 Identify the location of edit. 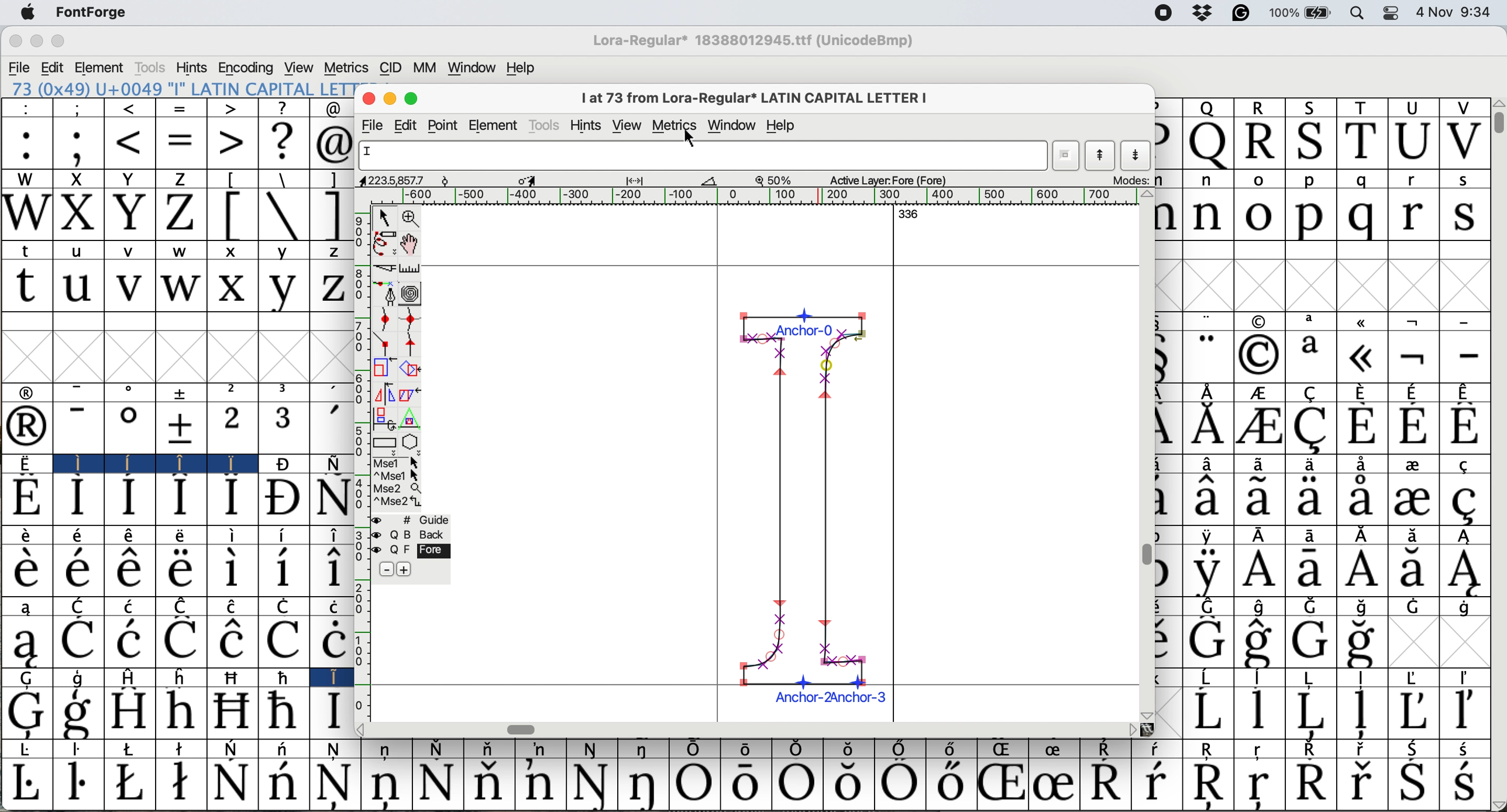
(53, 68).